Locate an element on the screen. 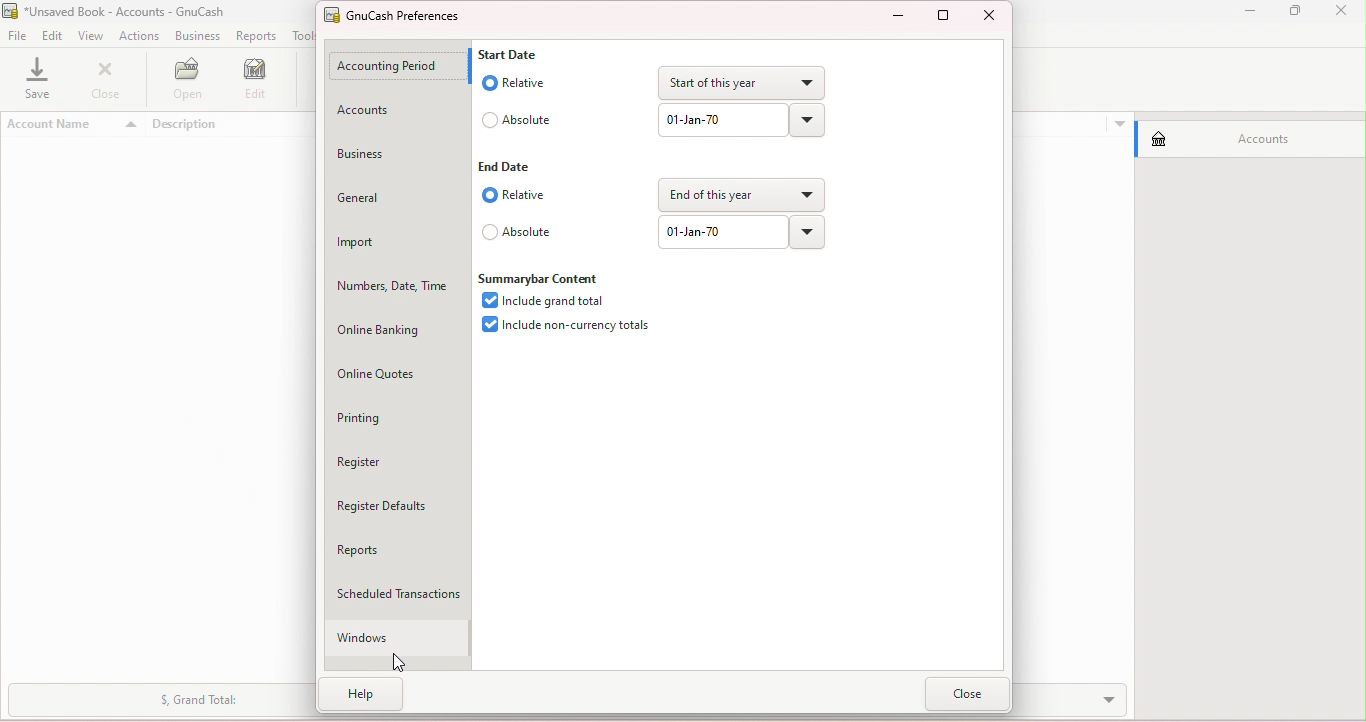 The image size is (1366, 722). File is located at coordinates (17, 35).